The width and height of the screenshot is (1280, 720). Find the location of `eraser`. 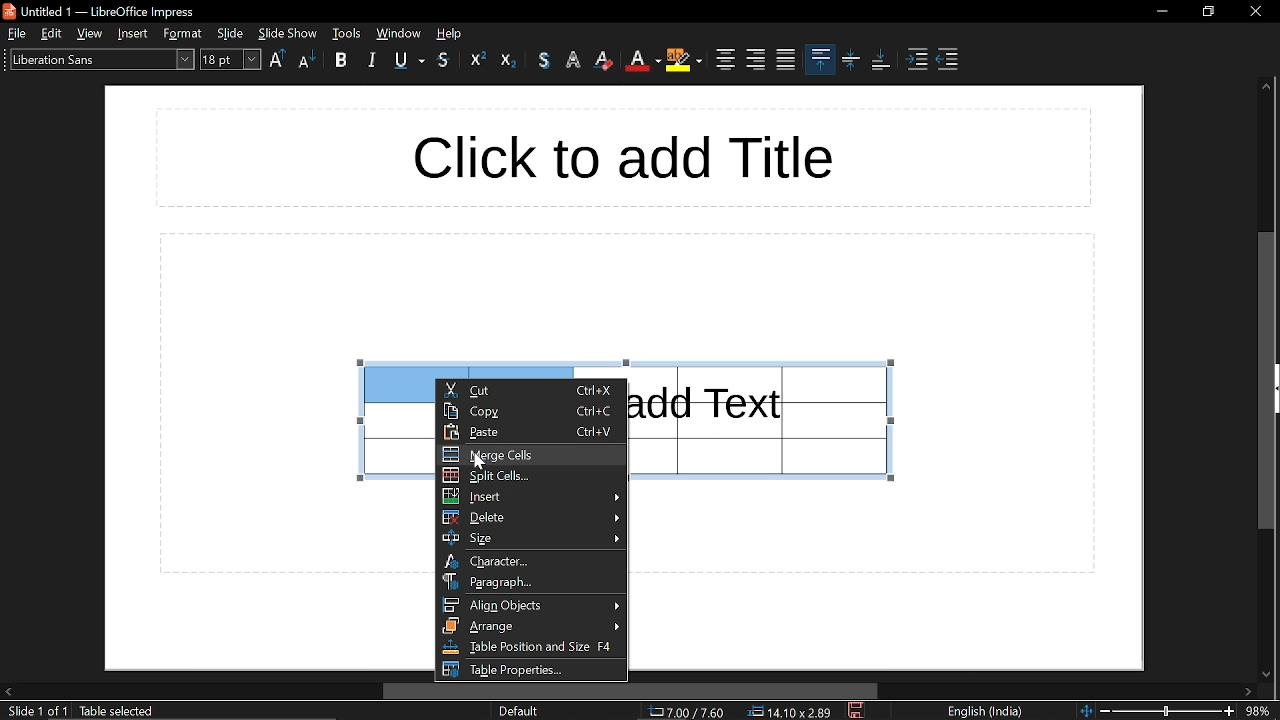

eraser is located at coordinates (606, 60).